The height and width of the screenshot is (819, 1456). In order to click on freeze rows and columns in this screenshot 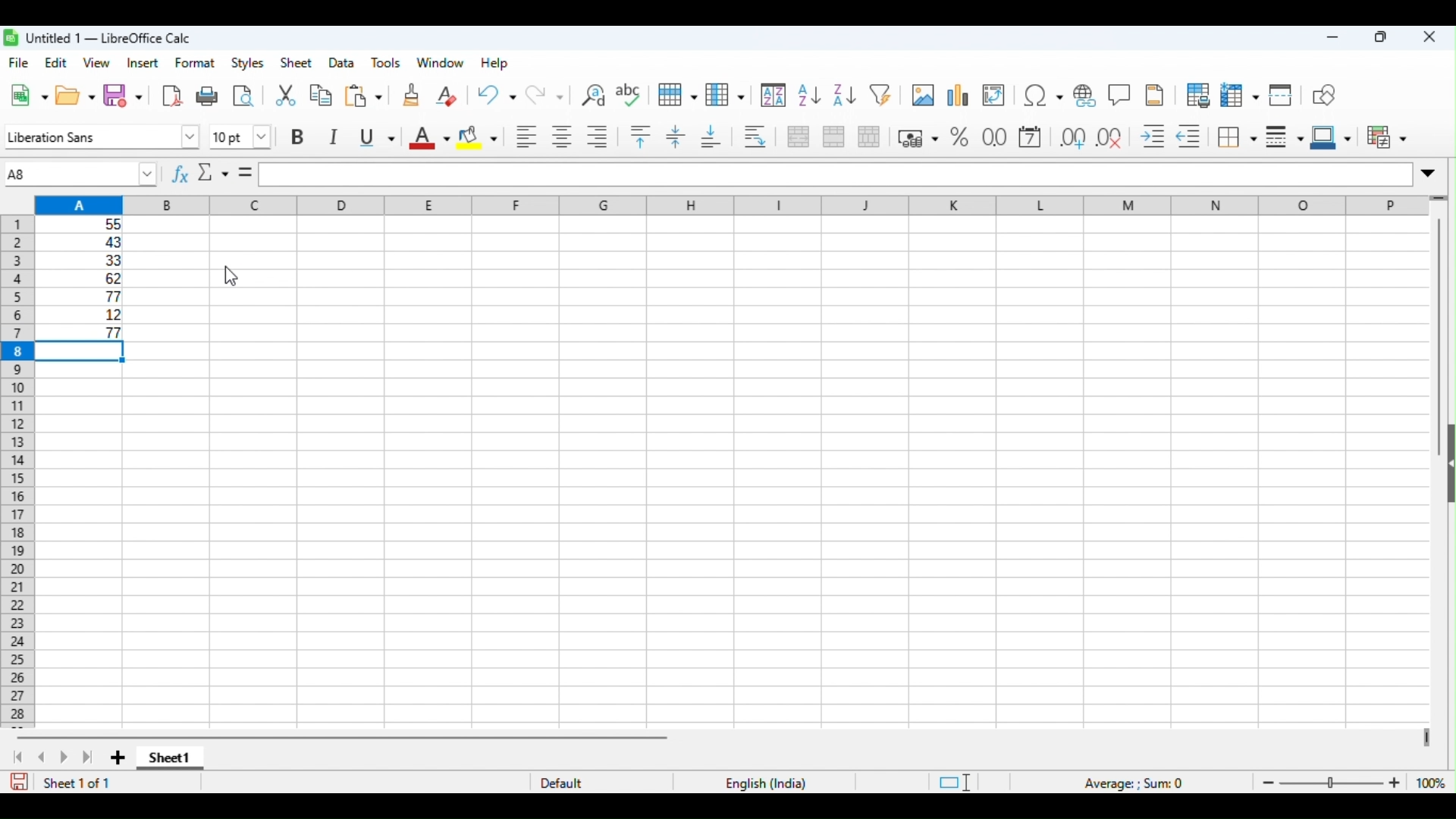, I will do `click(1241, 94)`.